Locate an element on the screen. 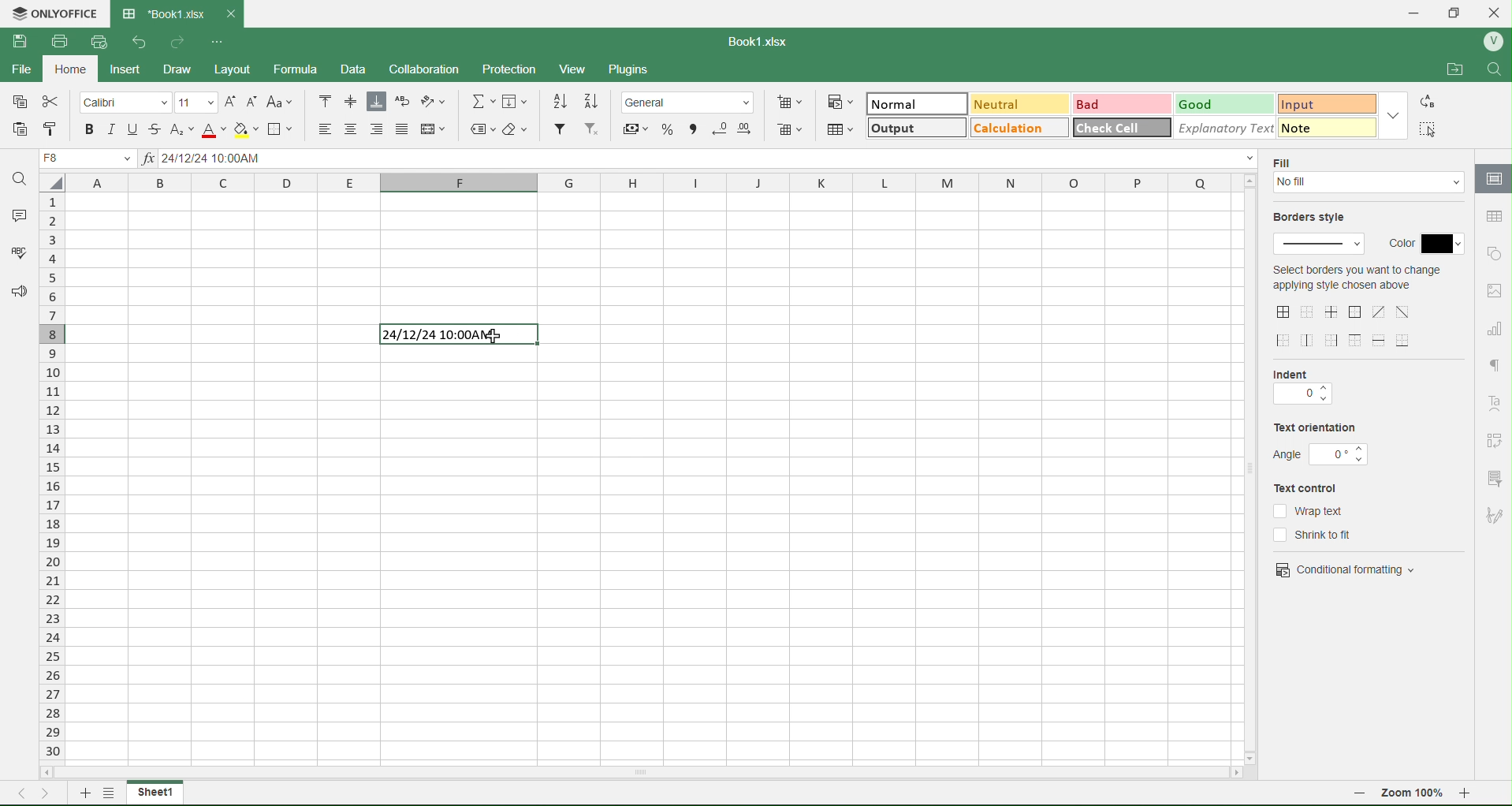  *Book1.xlsx is located at coordinates (162, 9).